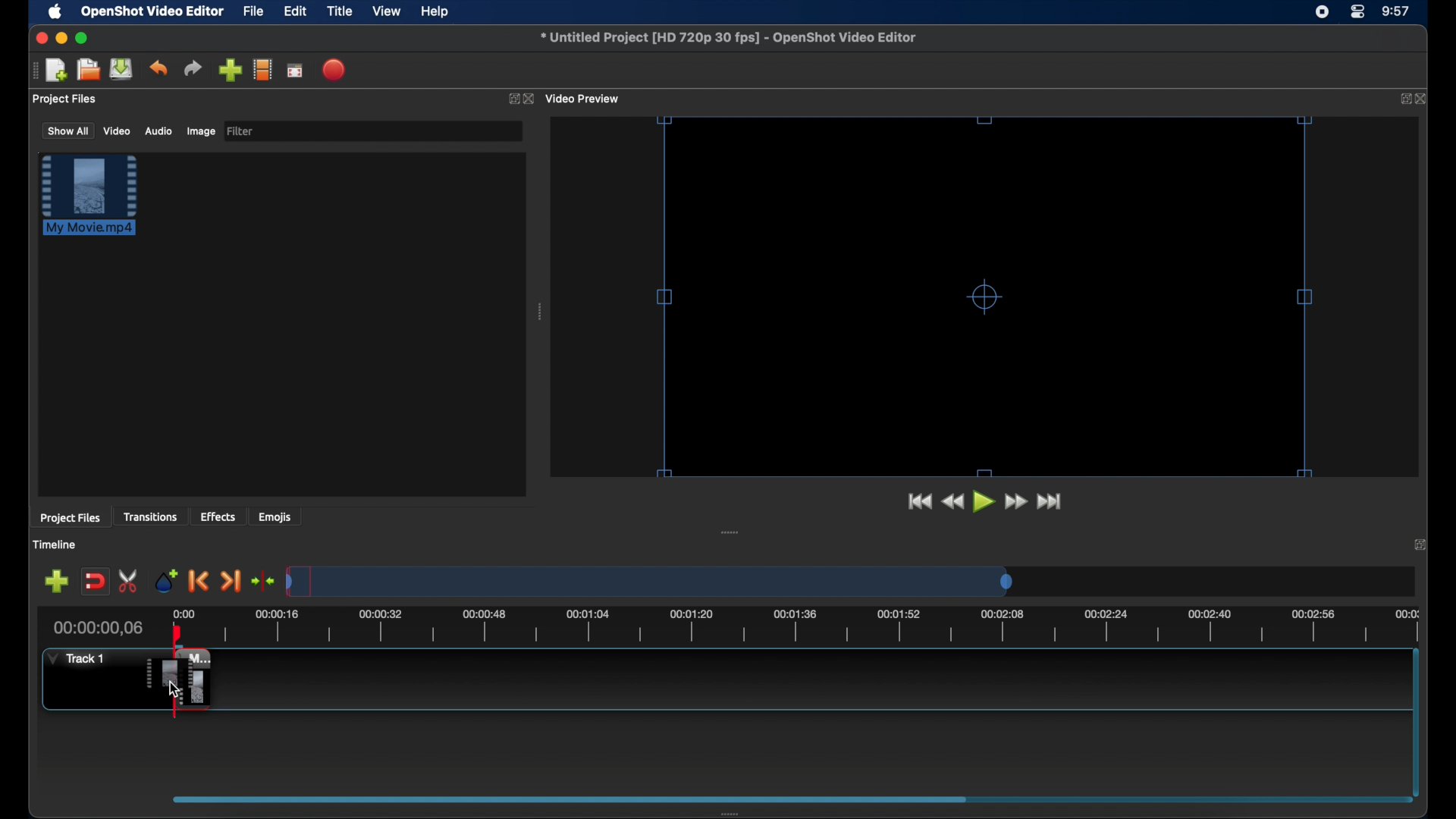 The image size is (1456, 819). Describe the element at coordinates (58, 71) in the screenshot. I see `new project` at that location.